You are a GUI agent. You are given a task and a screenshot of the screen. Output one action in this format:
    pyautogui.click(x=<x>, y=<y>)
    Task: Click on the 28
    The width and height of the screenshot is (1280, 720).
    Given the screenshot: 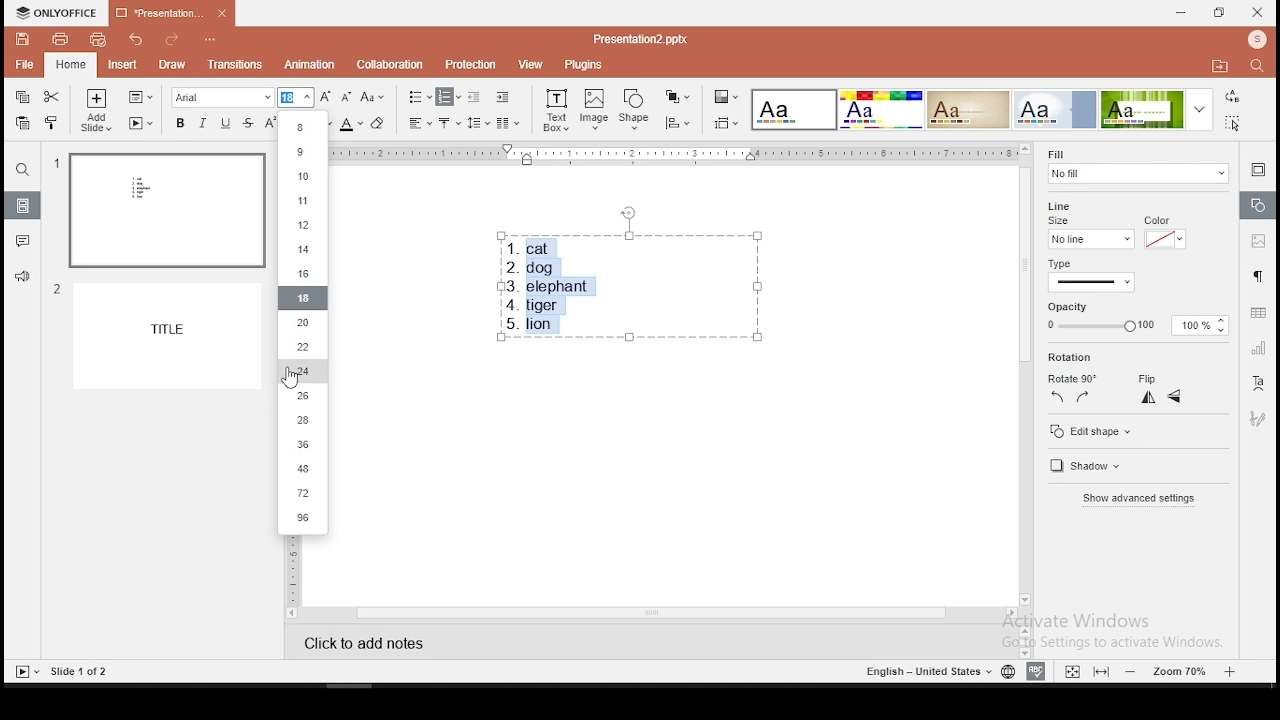 What is the action you would take?
    pyautogui.click(x=302, y=421)
    